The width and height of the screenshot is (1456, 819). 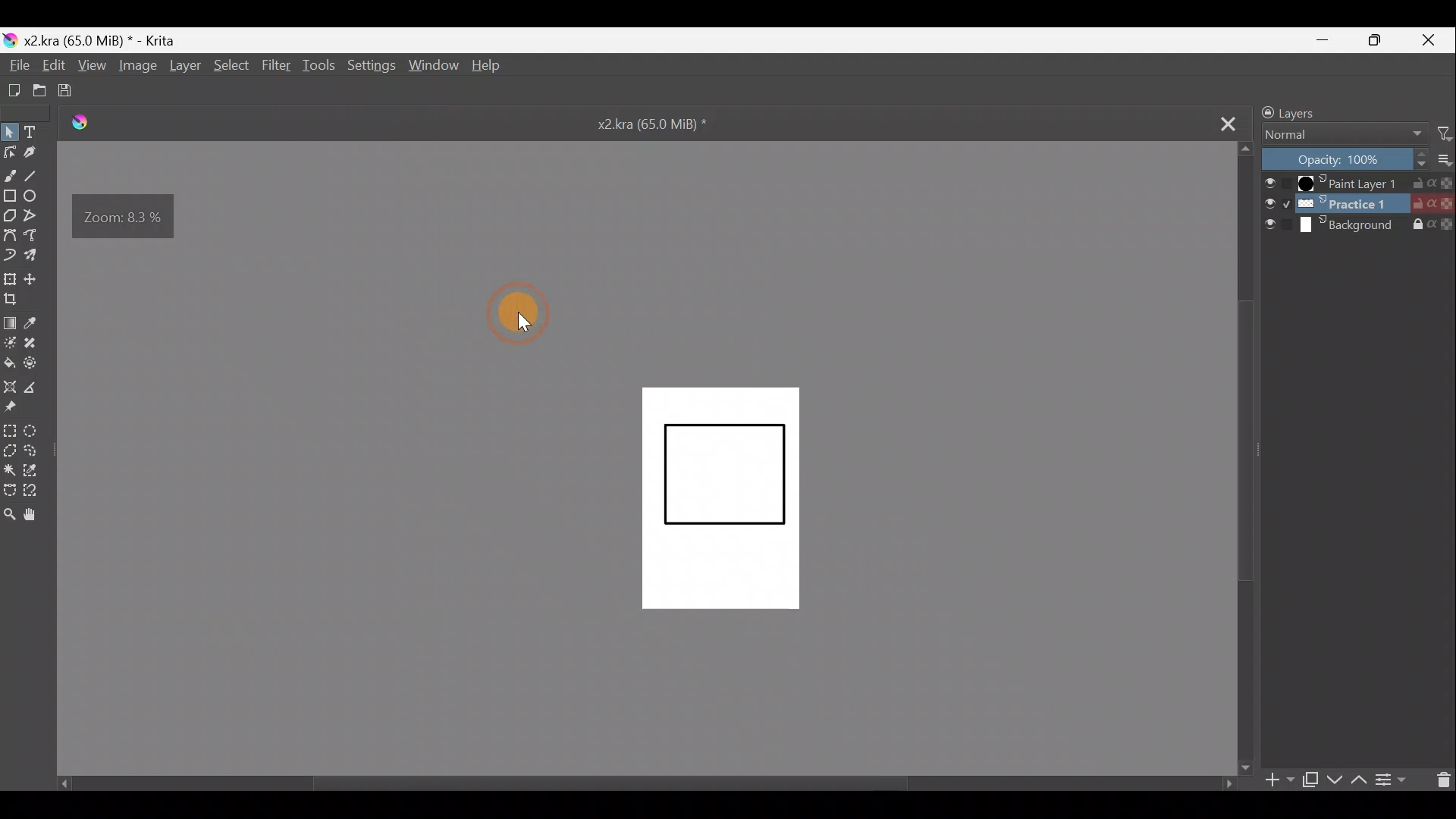 I want to click on Polyline tool, so click(x=34, y=216).